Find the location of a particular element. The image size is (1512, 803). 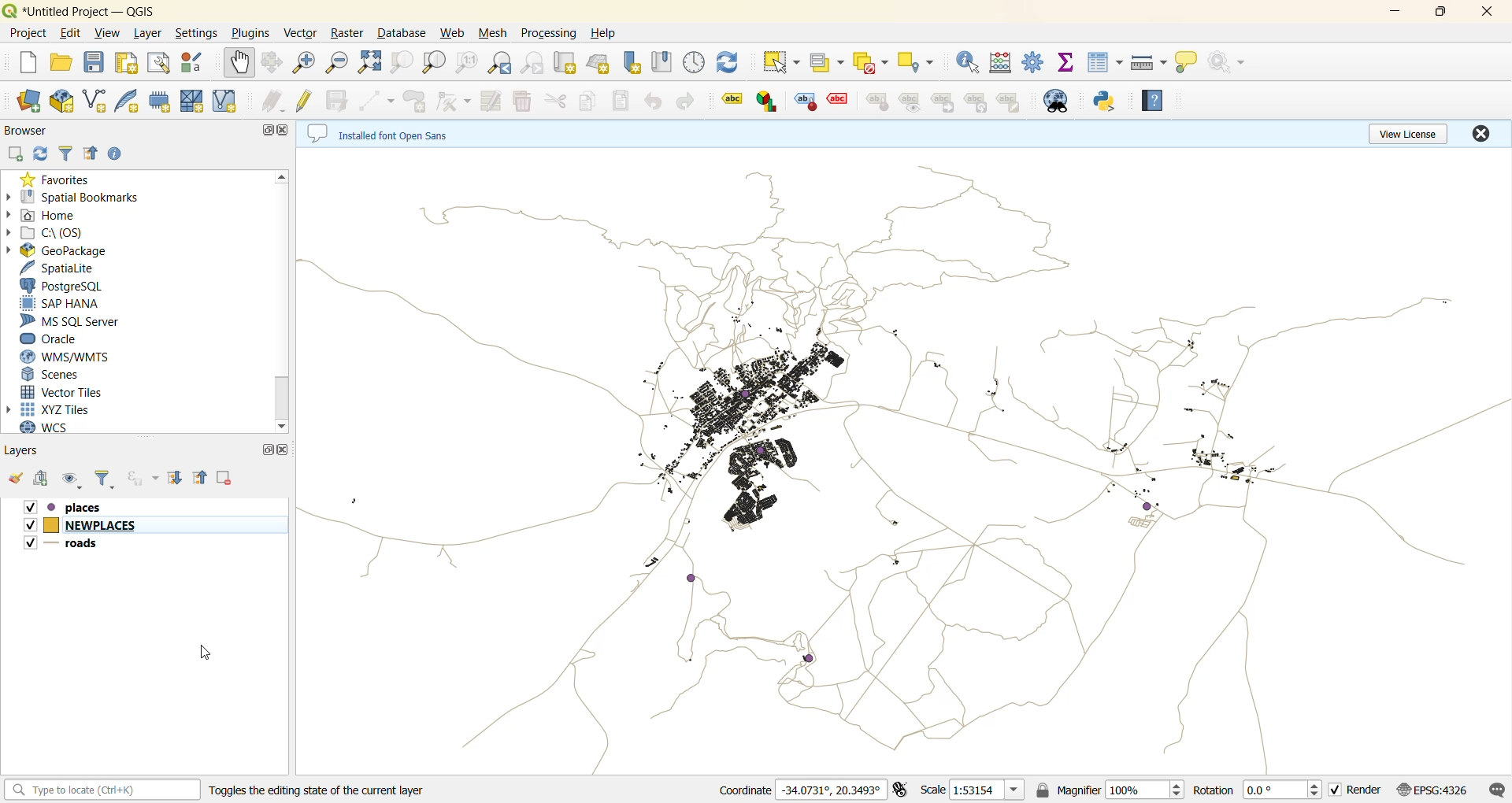

zoom native is located at coordinates (469, 65).